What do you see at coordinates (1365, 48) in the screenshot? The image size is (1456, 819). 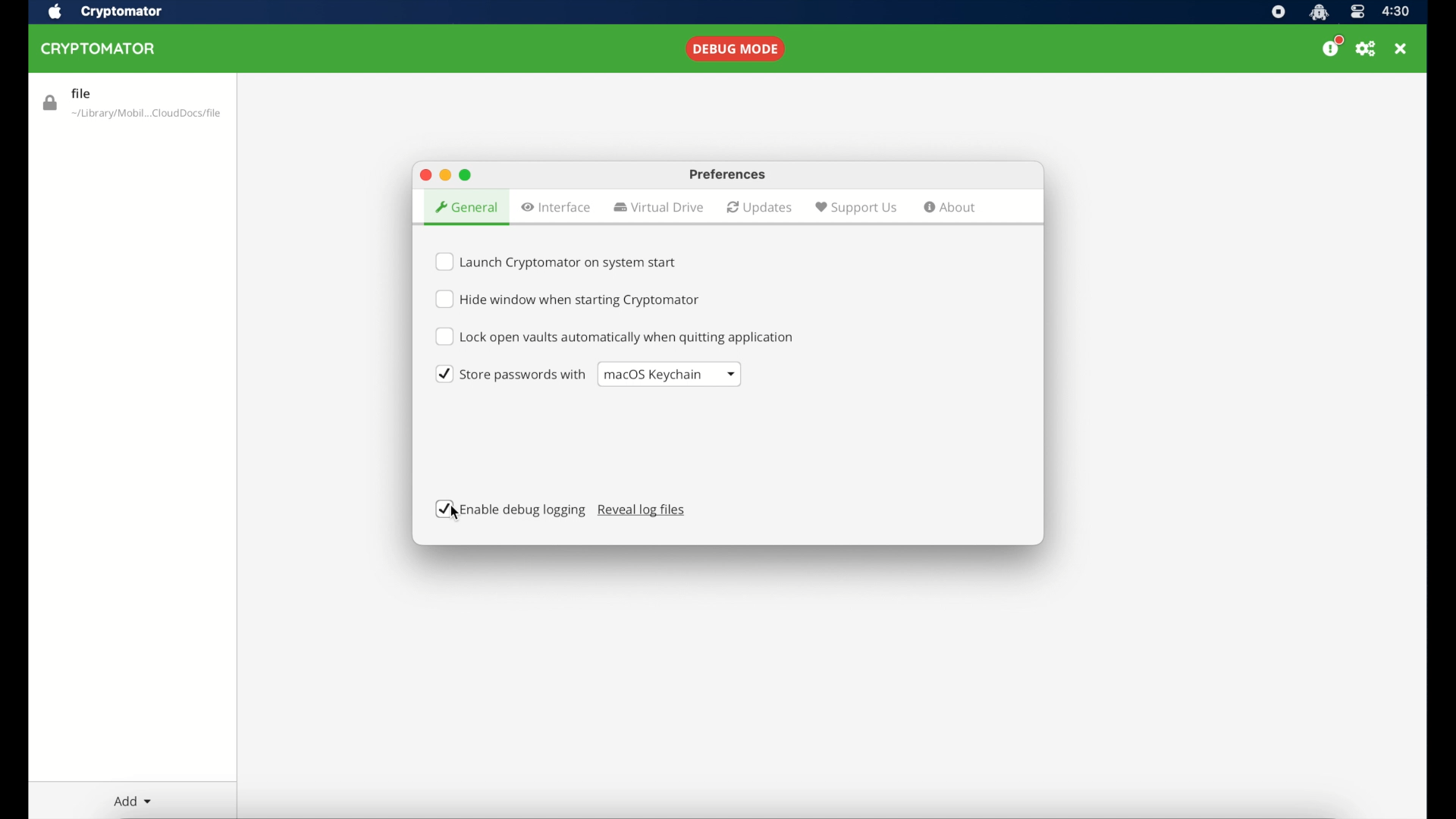 I see `preferences` at bounding box center [1365, 48].